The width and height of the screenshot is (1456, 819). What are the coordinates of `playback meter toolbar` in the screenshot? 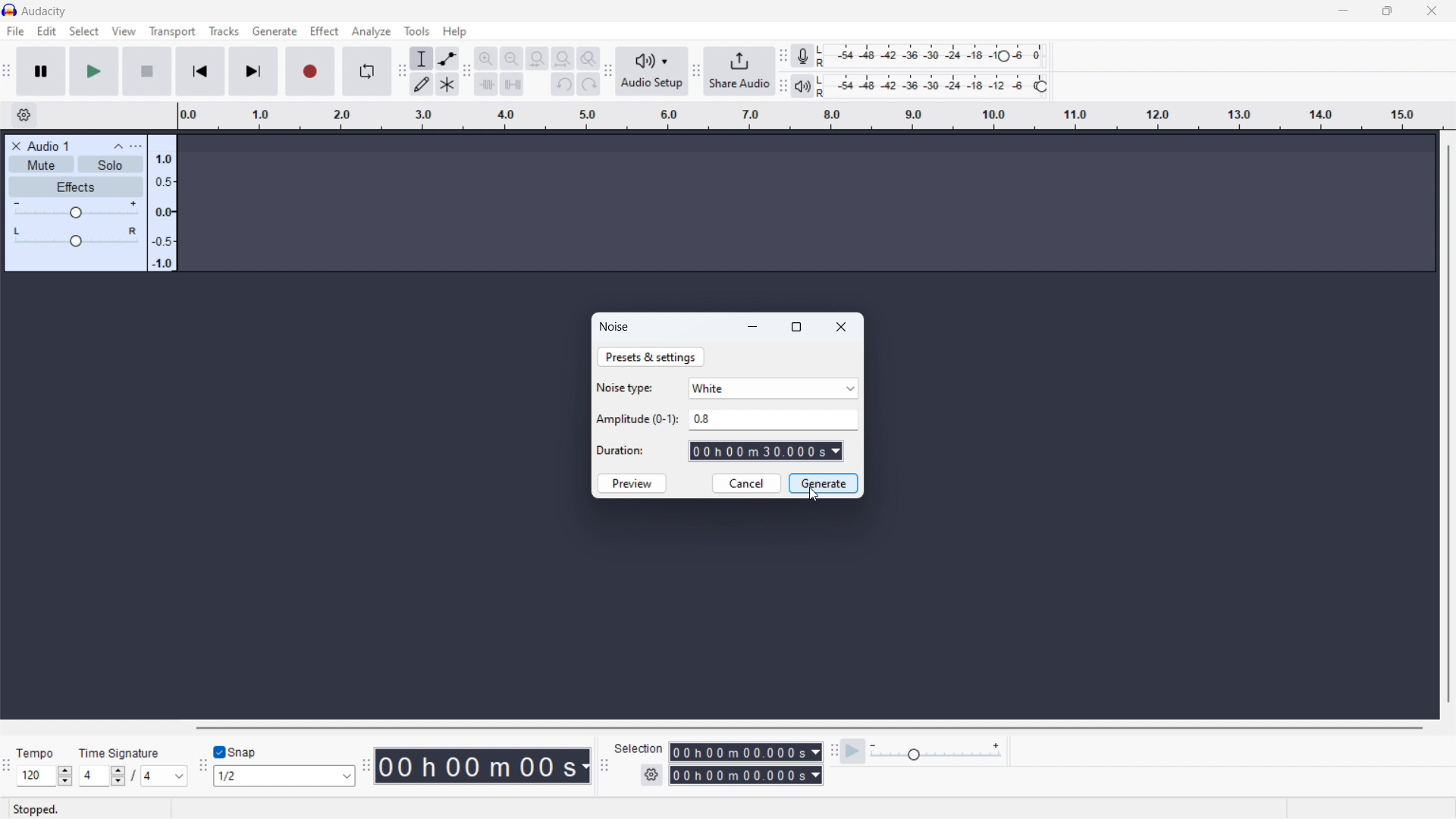 It's located at (783, 87).